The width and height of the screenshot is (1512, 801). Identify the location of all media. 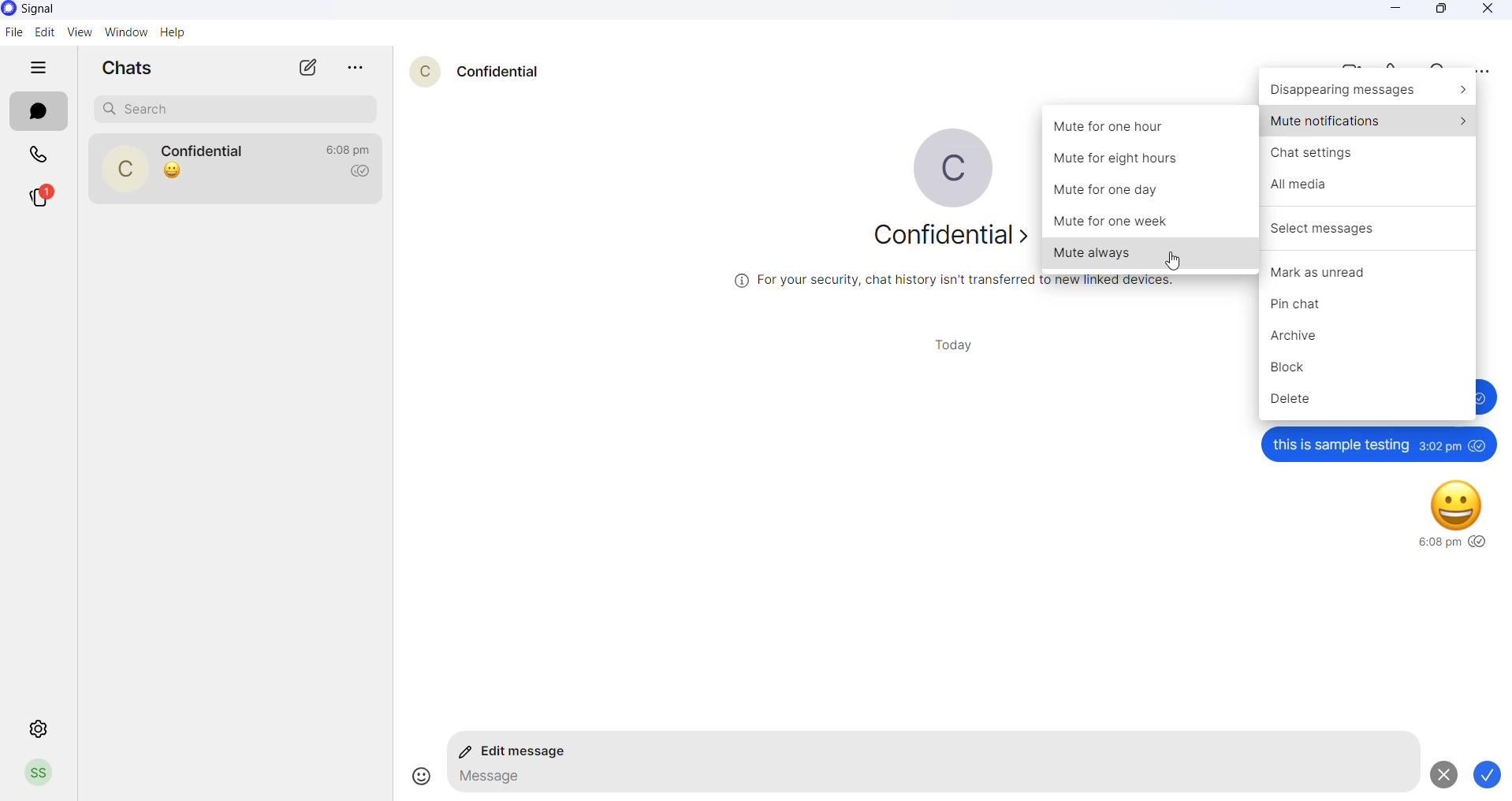
(1371, 188).